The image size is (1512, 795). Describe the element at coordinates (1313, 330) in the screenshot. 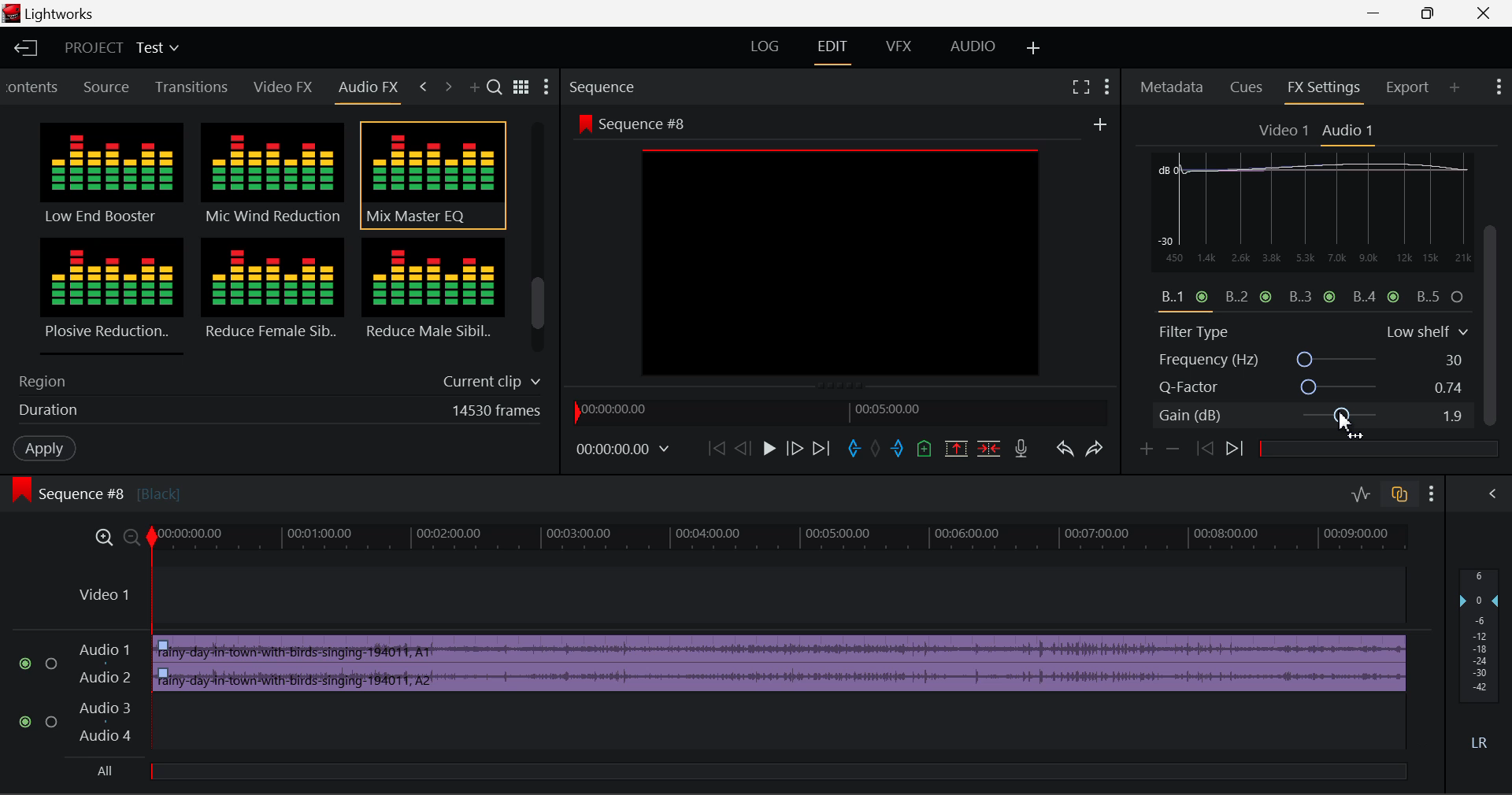

I see `Filter Type` at that location.